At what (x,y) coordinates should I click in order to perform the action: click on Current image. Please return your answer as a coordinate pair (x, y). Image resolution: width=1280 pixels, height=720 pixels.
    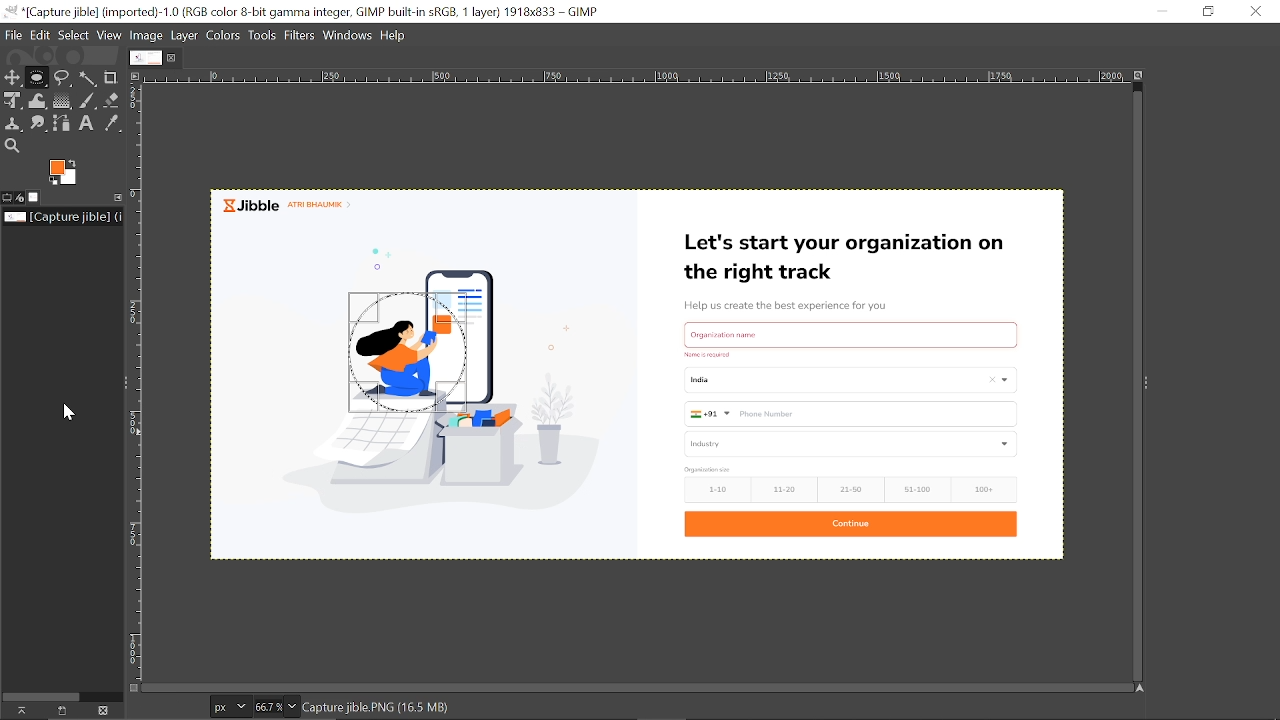
    Looking at the image, I should click on (801, 375).